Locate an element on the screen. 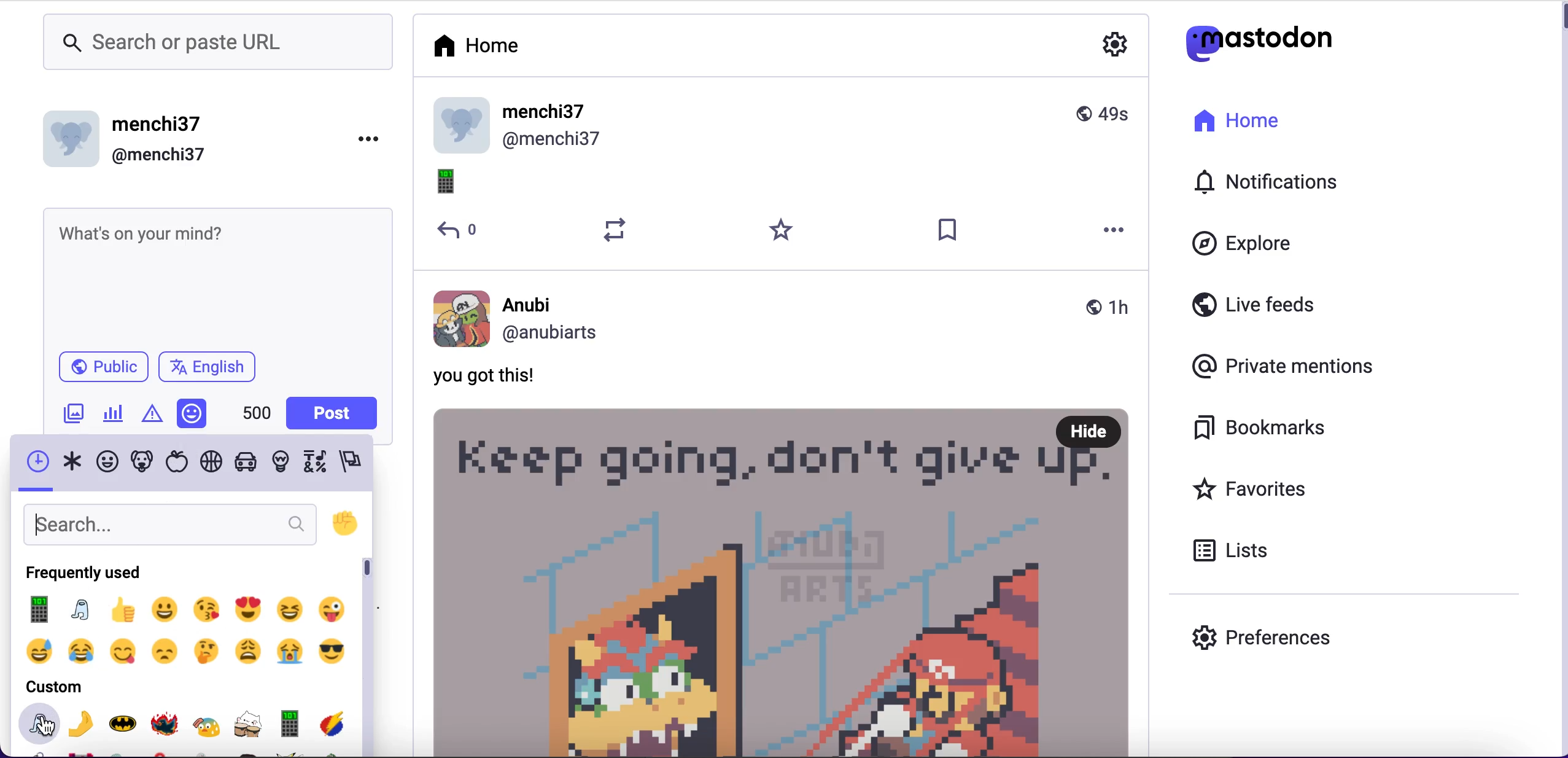  add warnings is located at coordinates (154, 416).